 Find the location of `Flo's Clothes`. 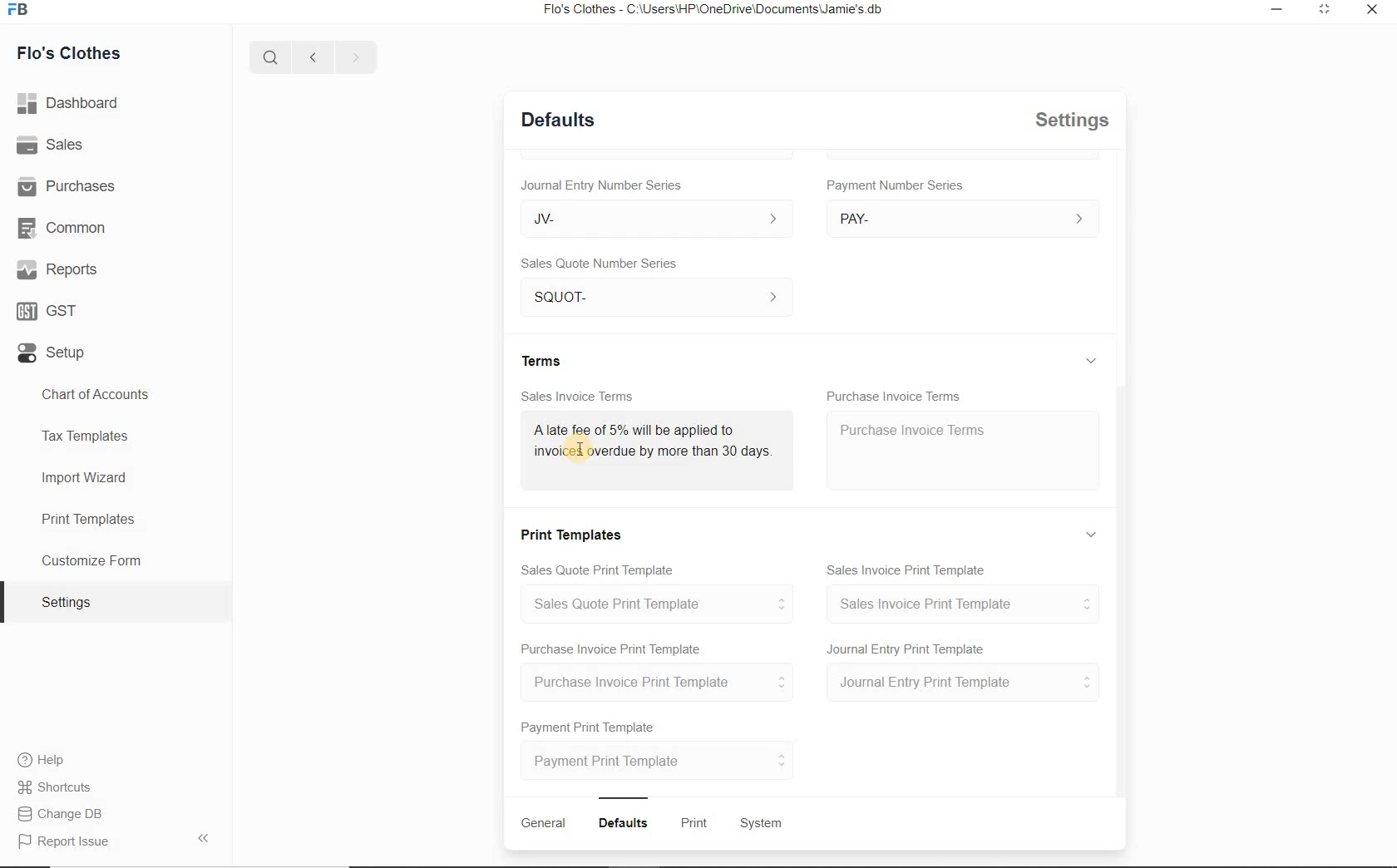

Flo's Clothes is located at coordinates (71, 52).